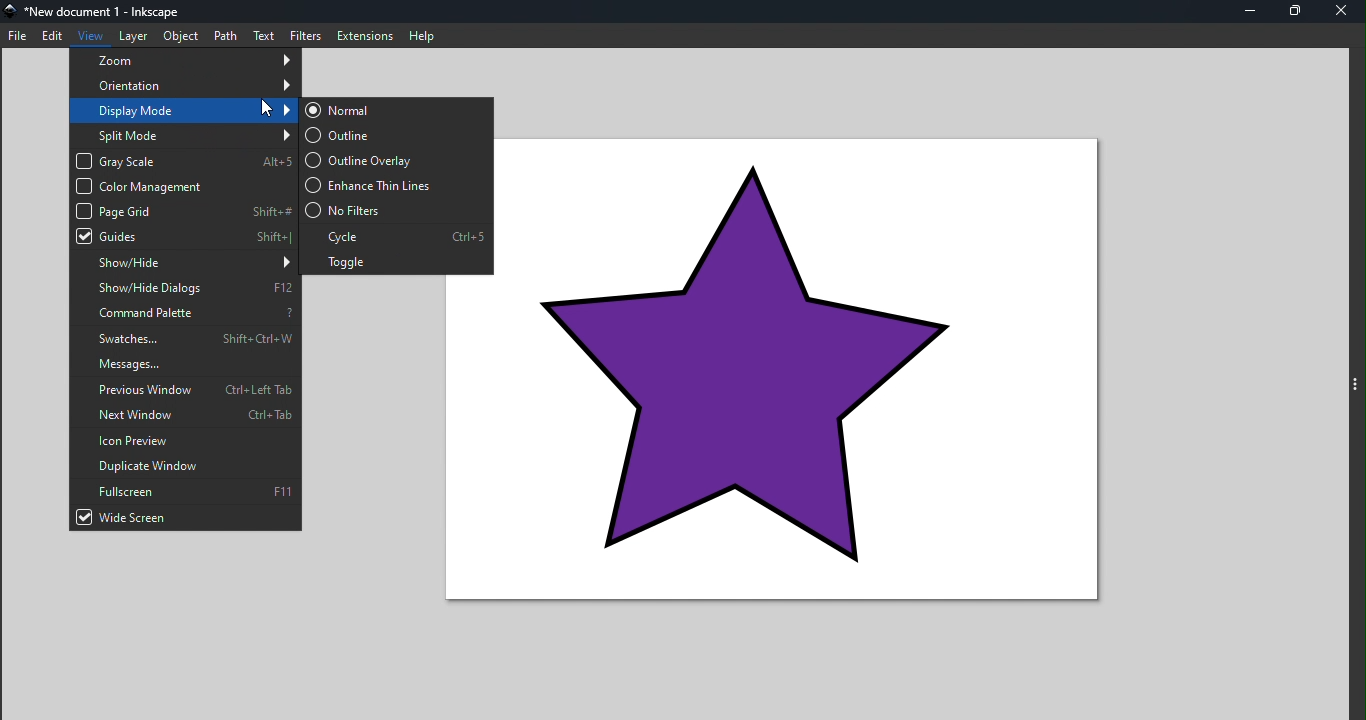  I want to click on Orientation, so click(184, 83).